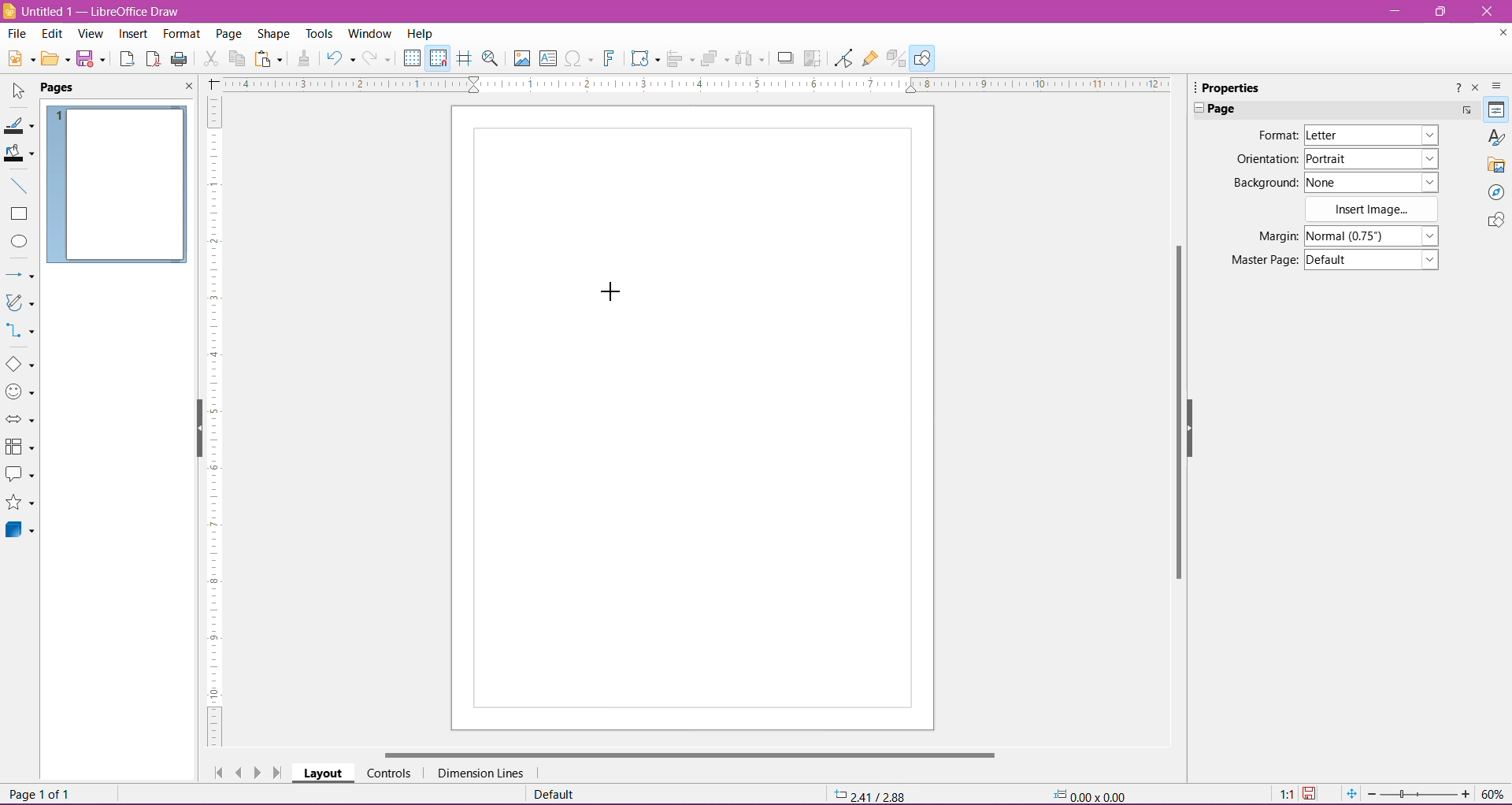  Describe the element at coordinates (412, 58) in the screenshot. I see `Display Grid` at that location.